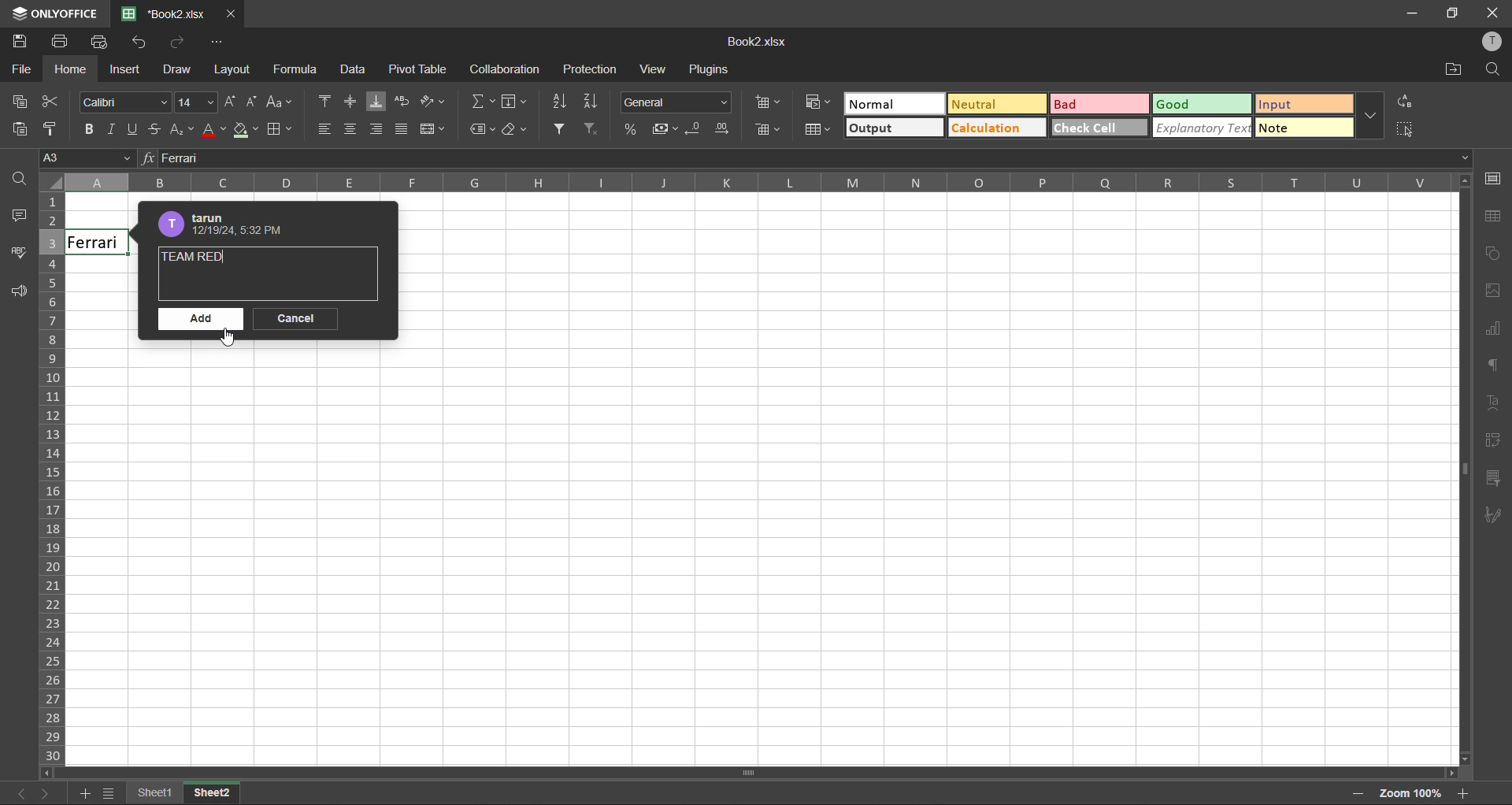  I want to click on signature, so click(1492, 514).